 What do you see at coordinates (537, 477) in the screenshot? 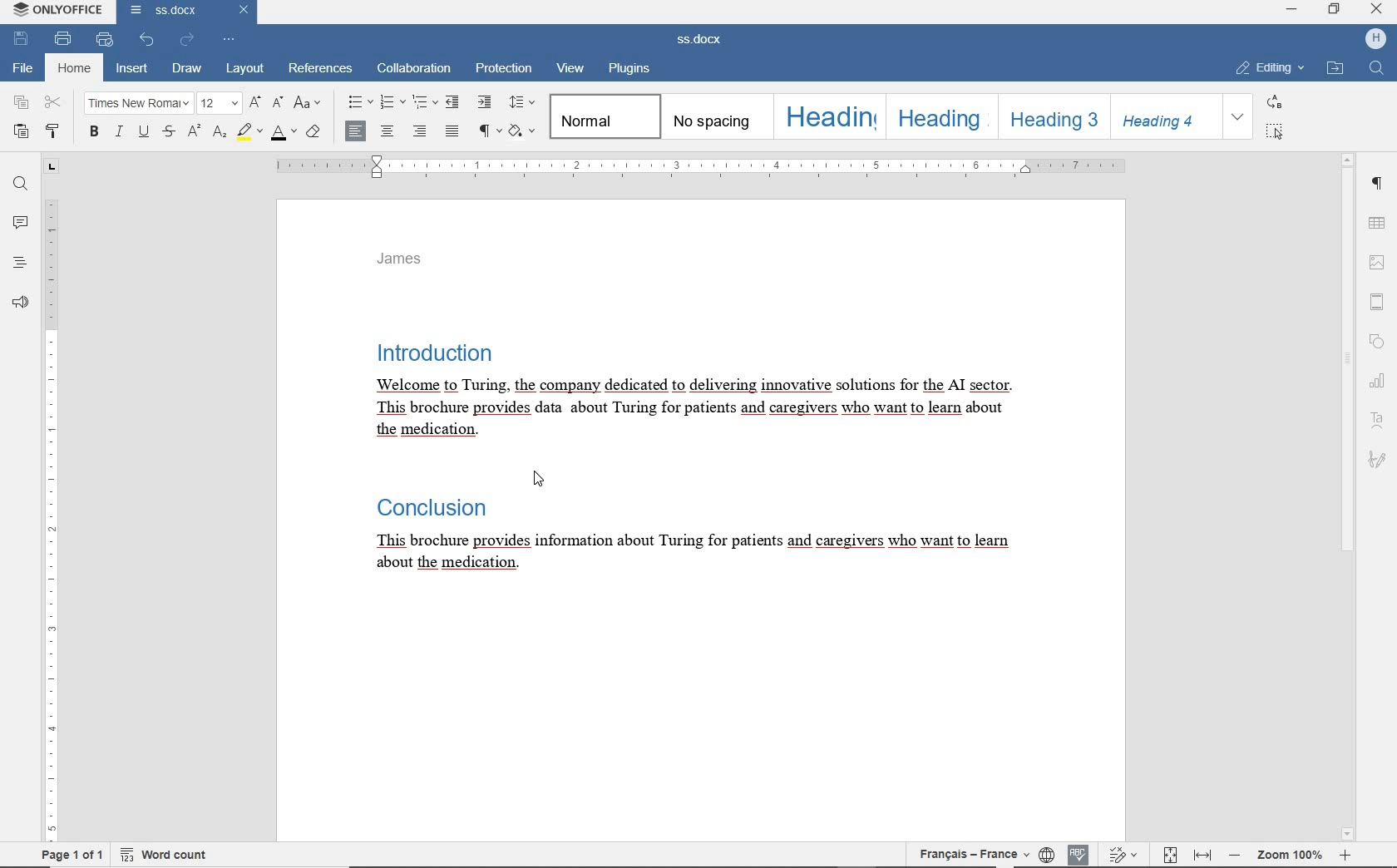
I see `cursor` at bounding box center [537, 477].